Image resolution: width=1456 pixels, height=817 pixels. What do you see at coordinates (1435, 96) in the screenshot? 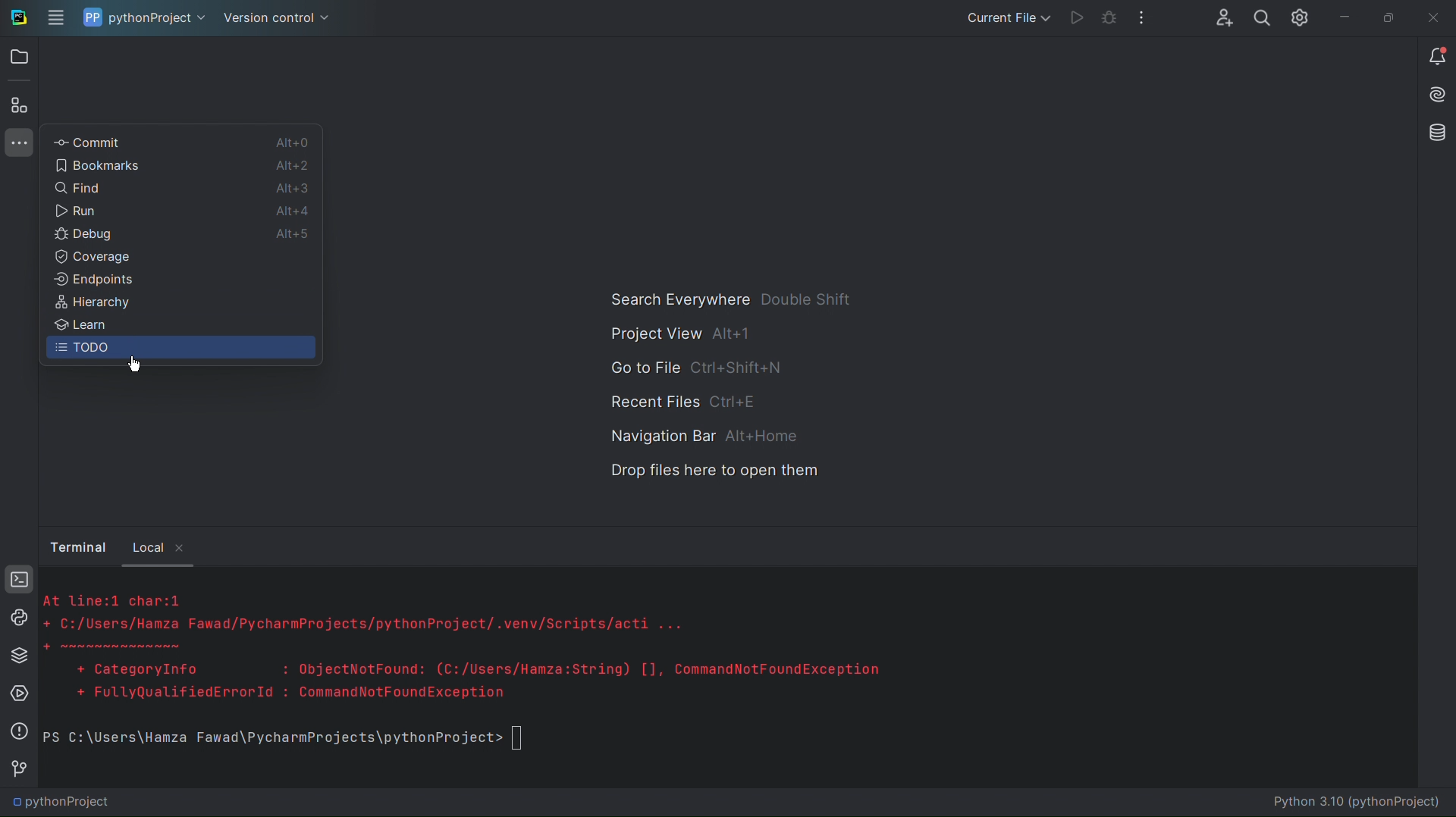
I see `Install AI Assistant` at bounding box center [1435, 96].